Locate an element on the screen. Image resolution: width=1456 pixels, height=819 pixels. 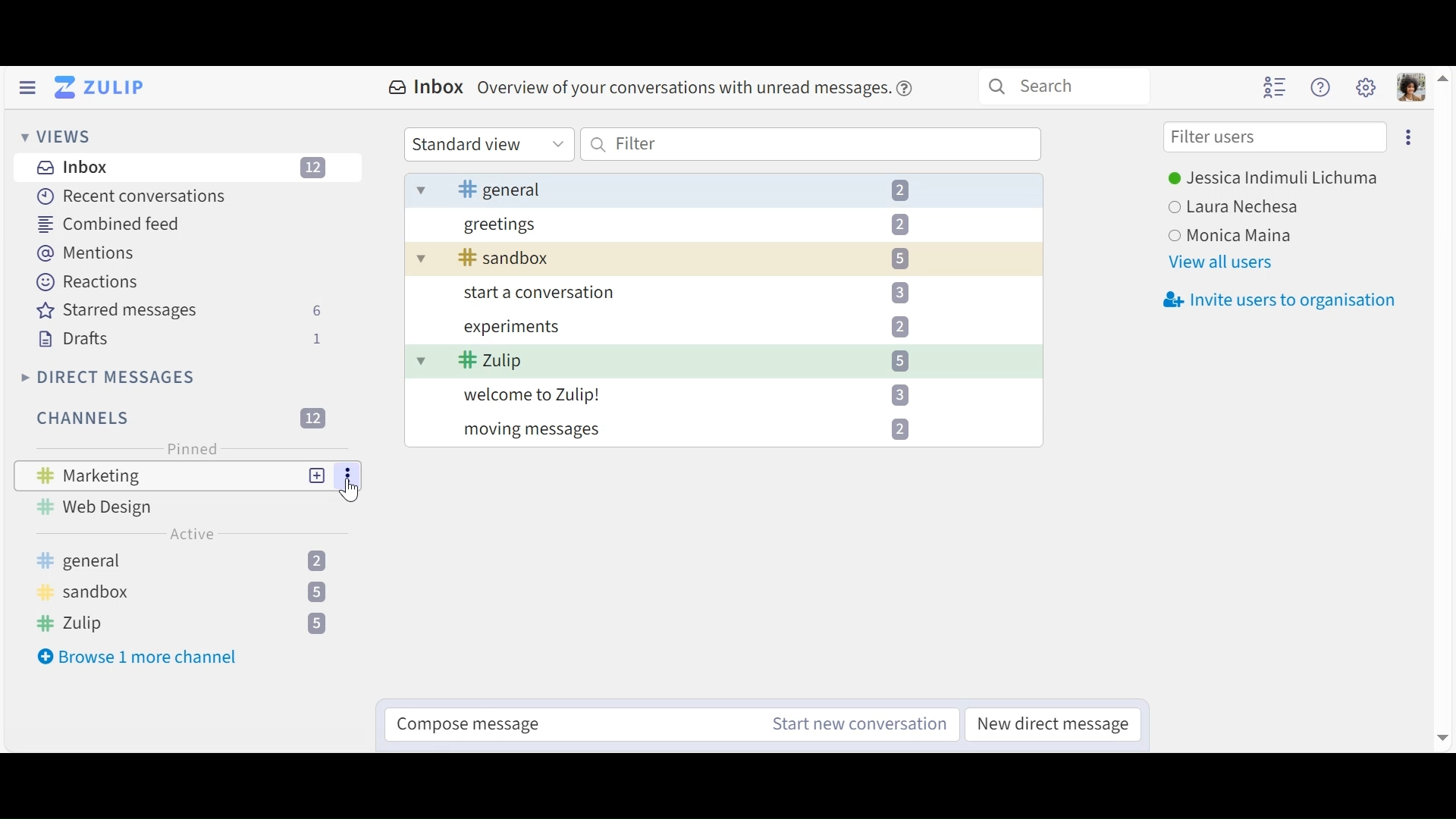
Go to Home View (inbox) is located at coordinates (101, 88).